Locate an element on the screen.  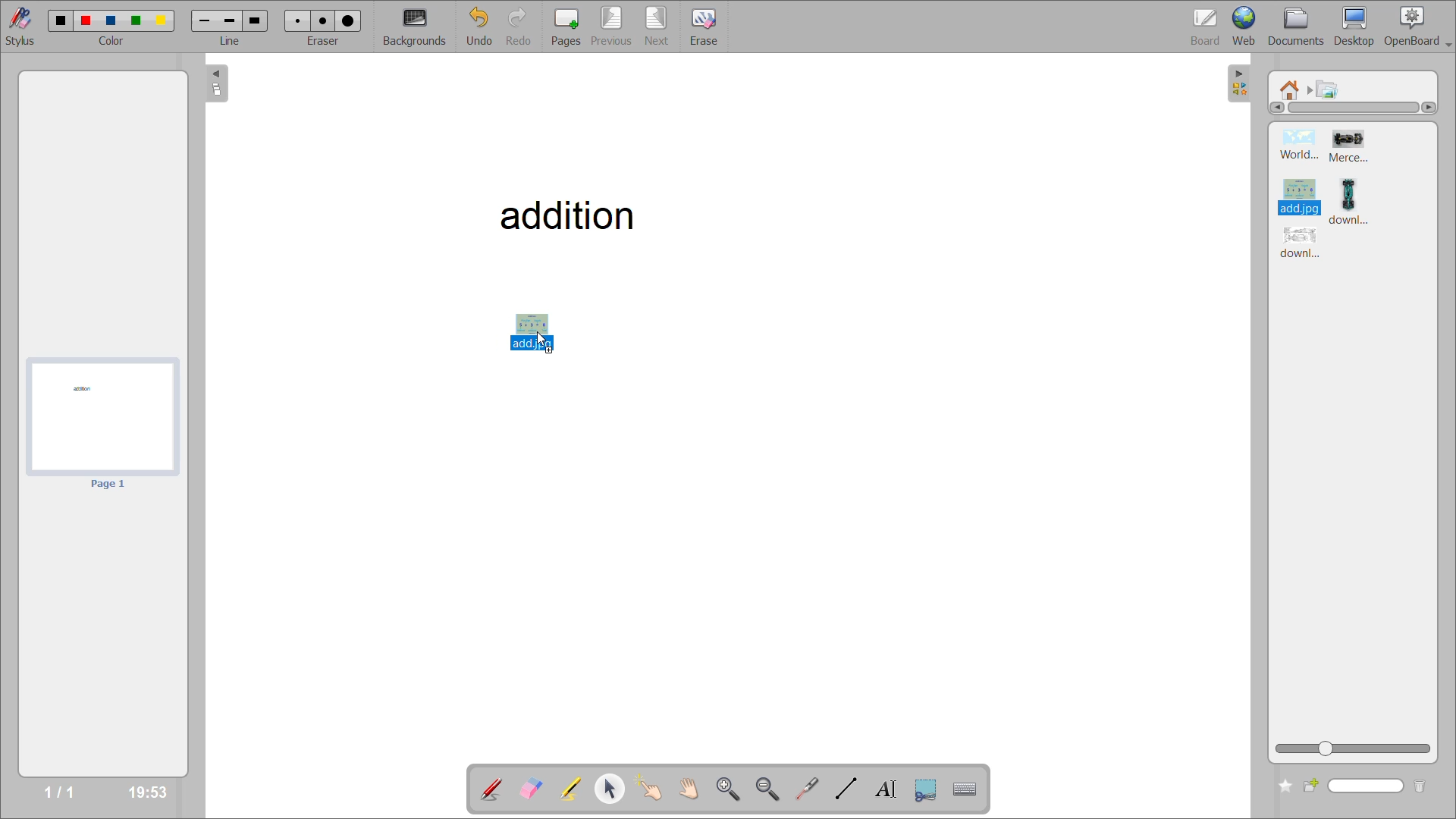
addition - title is located at coordinates (563, 214).